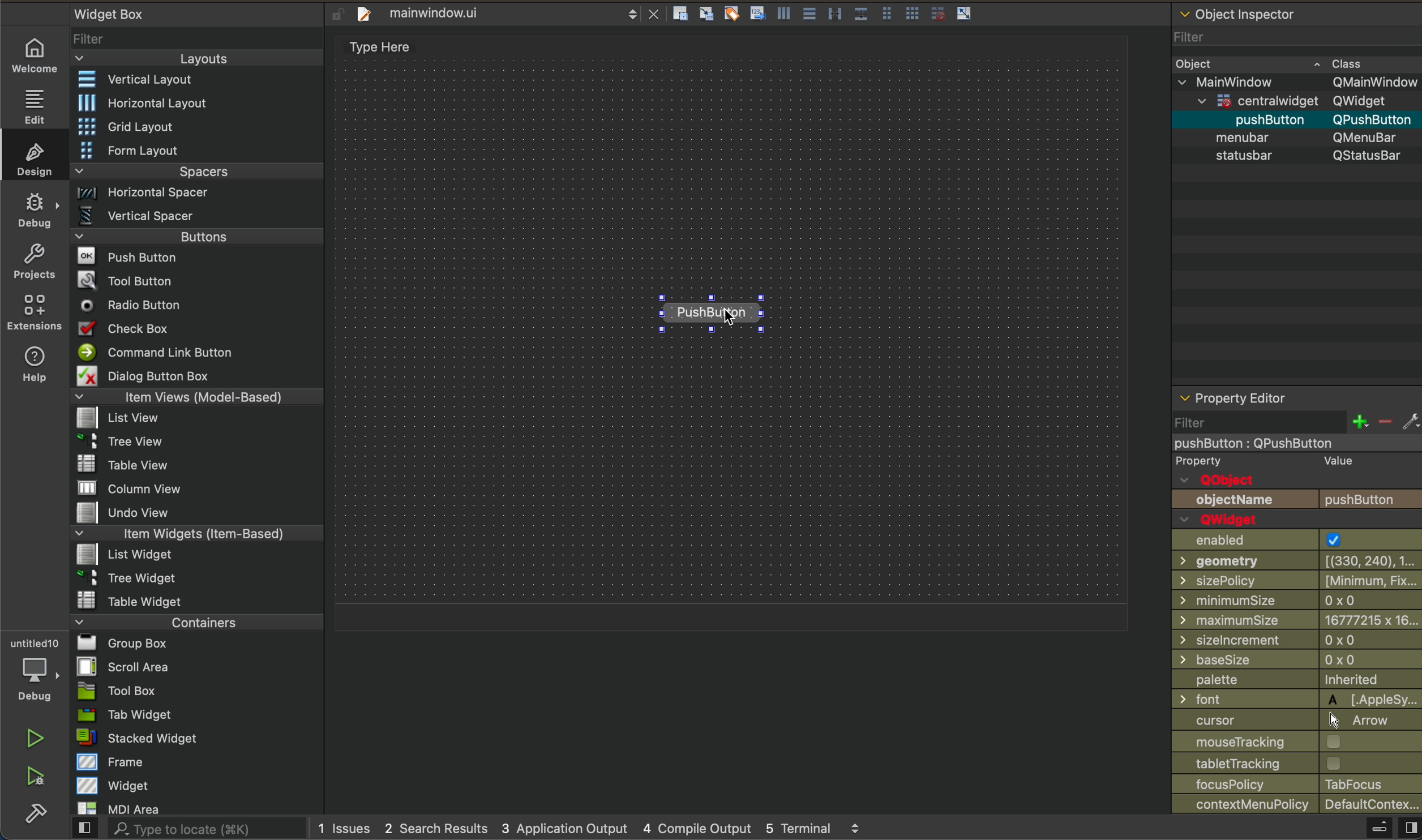 This screenshot has height=840, width=1422. Describe the element at coordinates (197, 442) in the screenshot. I see `tree view` at that location.